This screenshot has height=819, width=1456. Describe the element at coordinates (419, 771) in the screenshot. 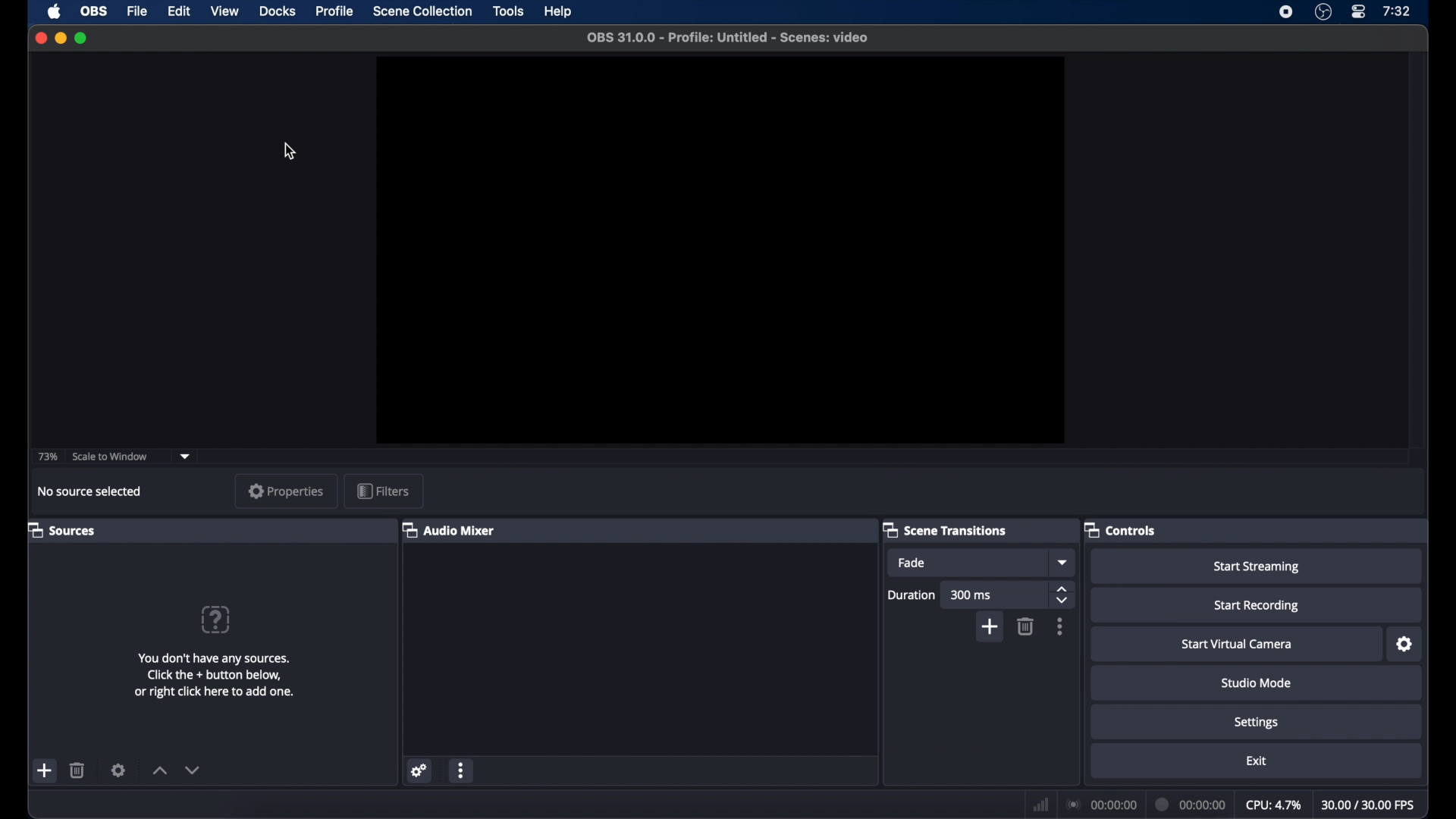

I see `settings` at that location.